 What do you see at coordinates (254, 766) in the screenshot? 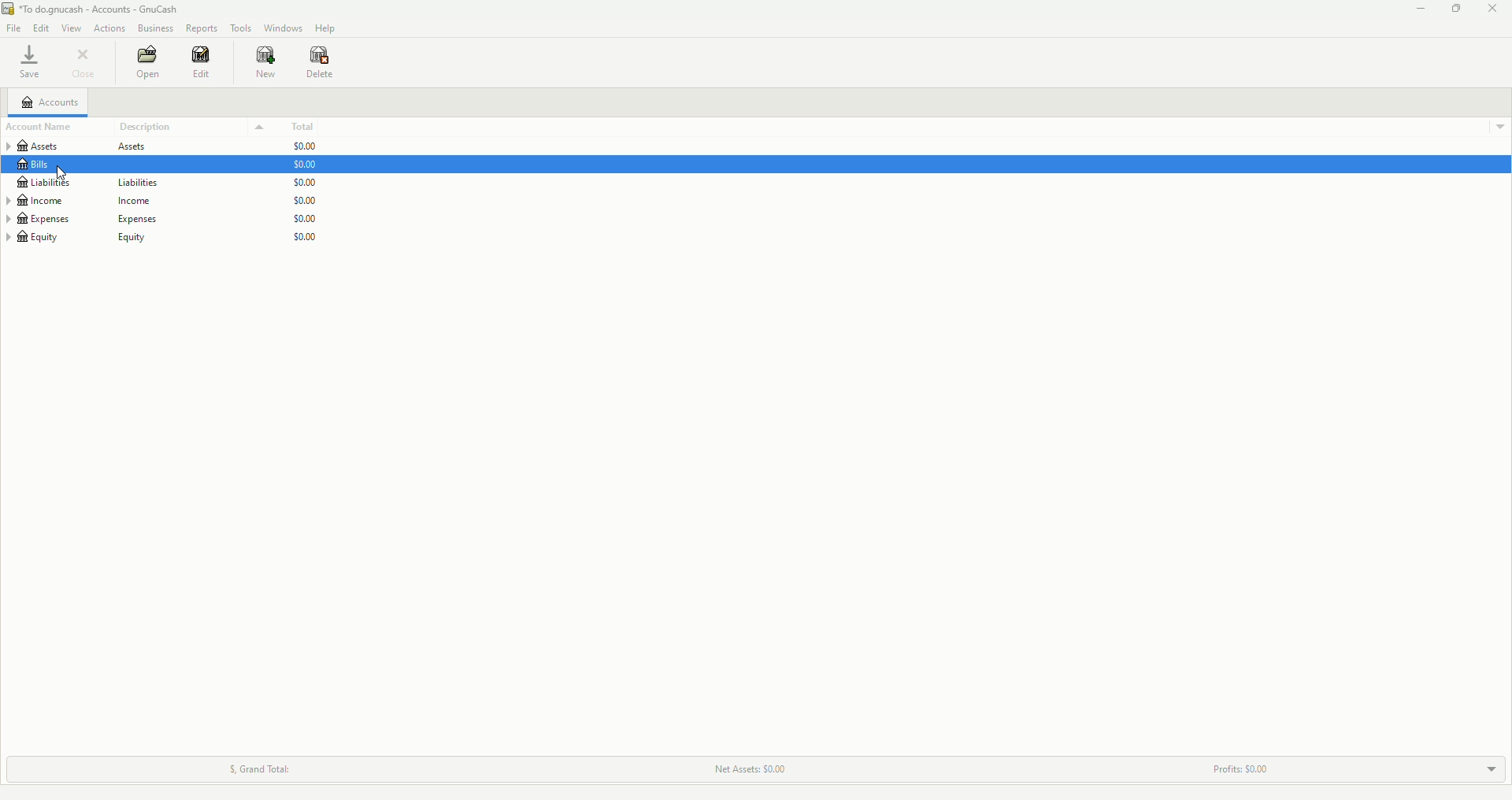
I see `Grand Total` at bounding box center [254, 766].